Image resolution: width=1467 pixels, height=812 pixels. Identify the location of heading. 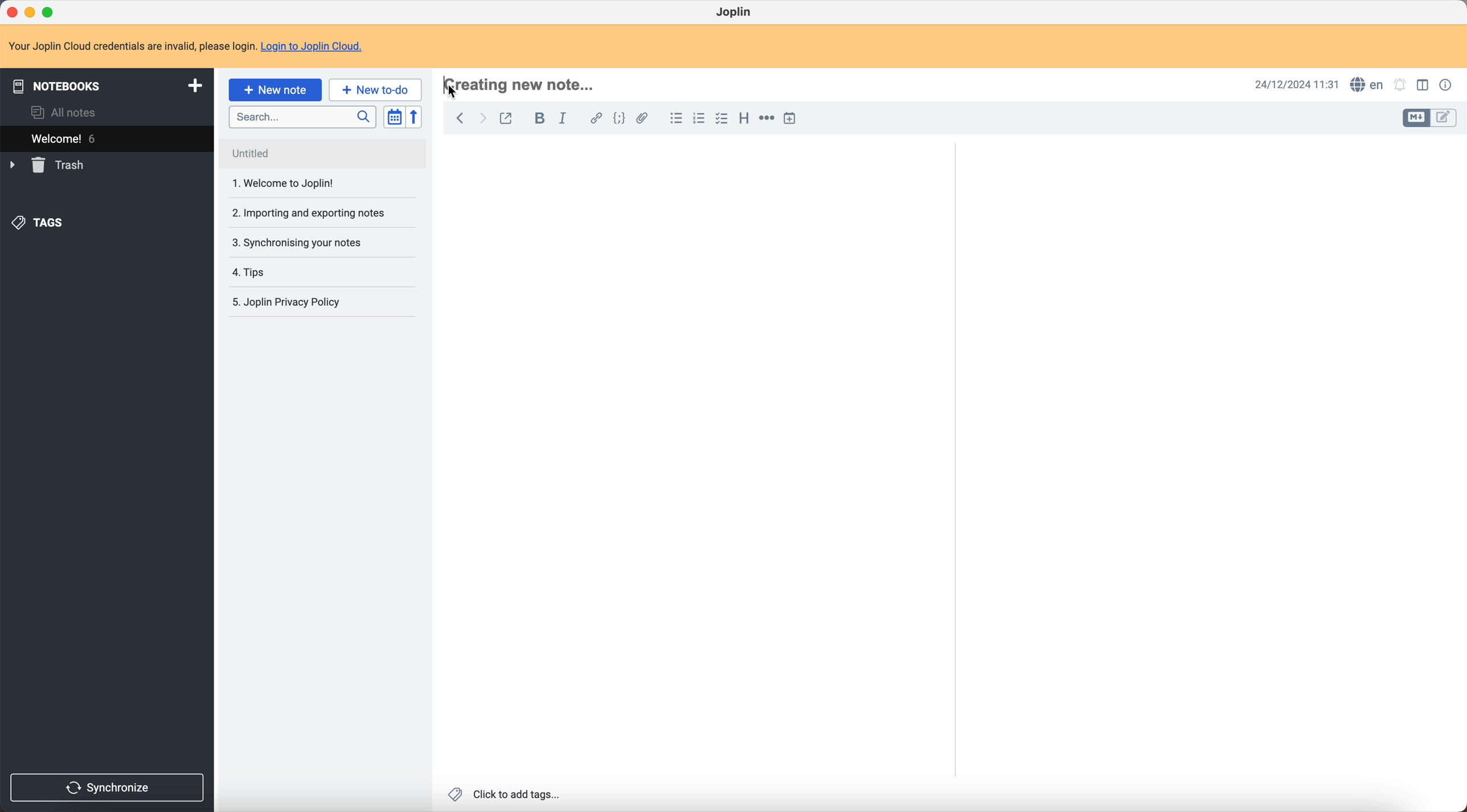
(744, 119).